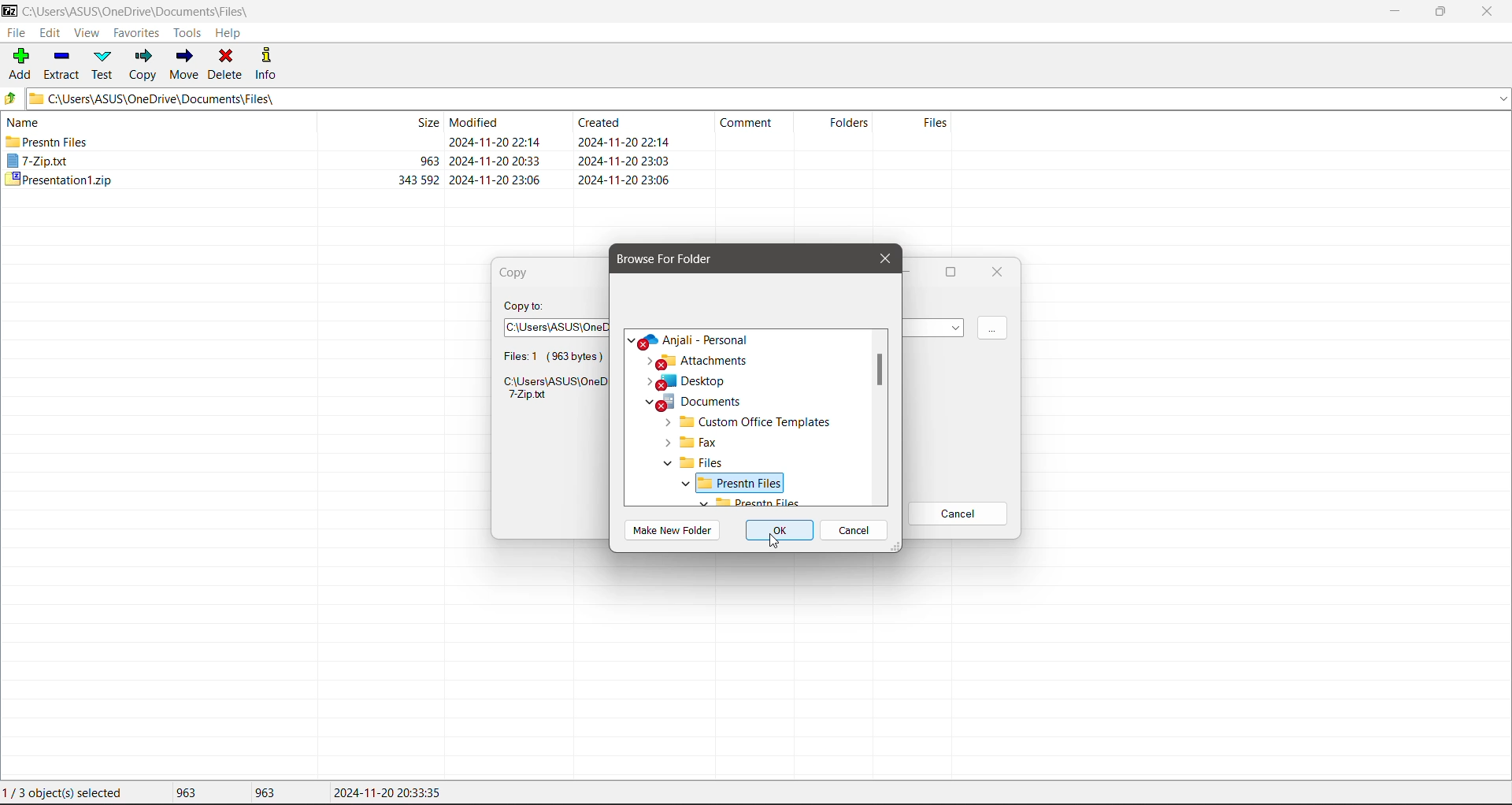  I want to click on Cancel, so click(960, 514).